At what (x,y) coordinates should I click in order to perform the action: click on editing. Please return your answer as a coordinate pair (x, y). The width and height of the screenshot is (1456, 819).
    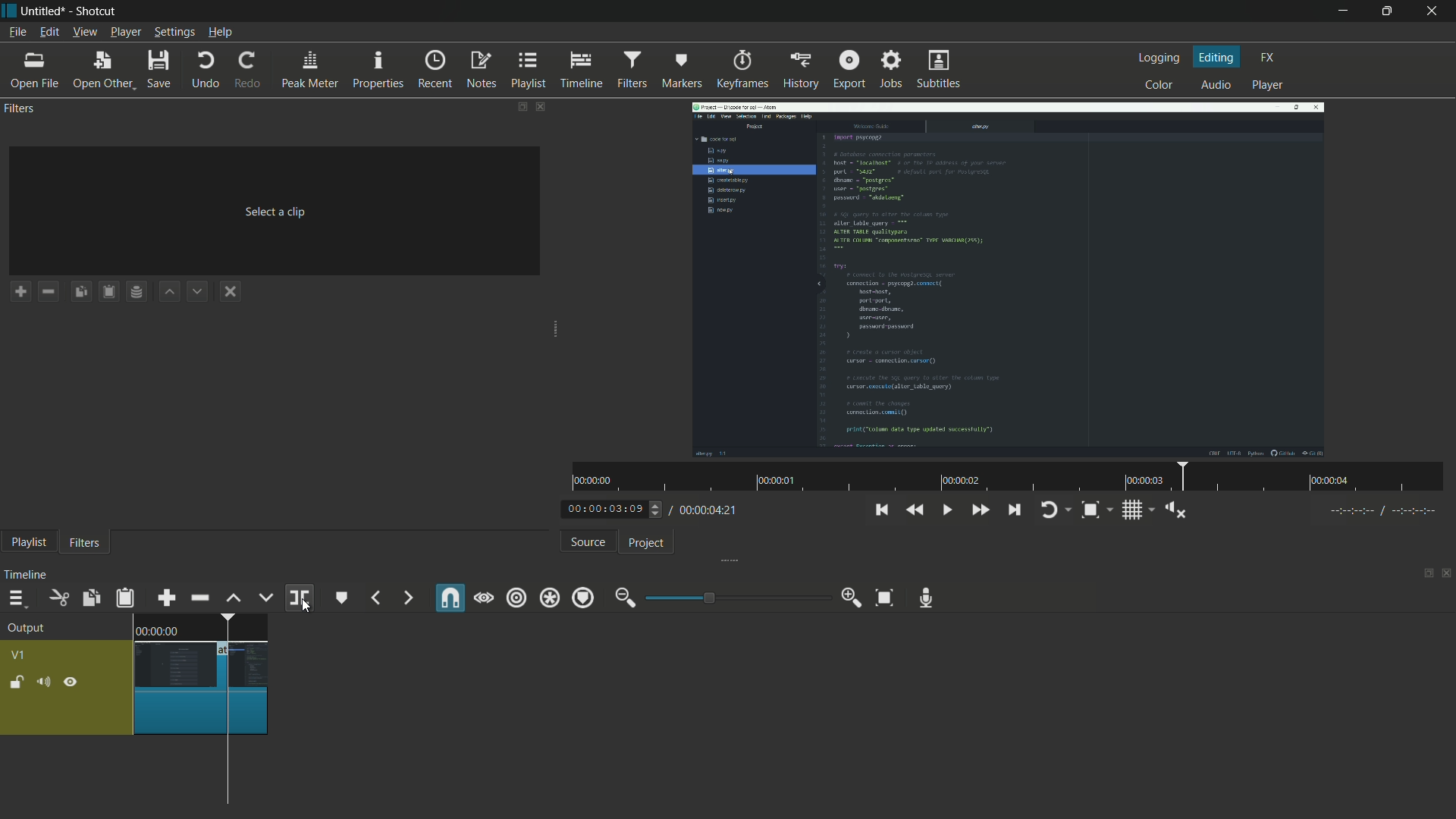
    Looking at the image, I should click on (1217, 57).